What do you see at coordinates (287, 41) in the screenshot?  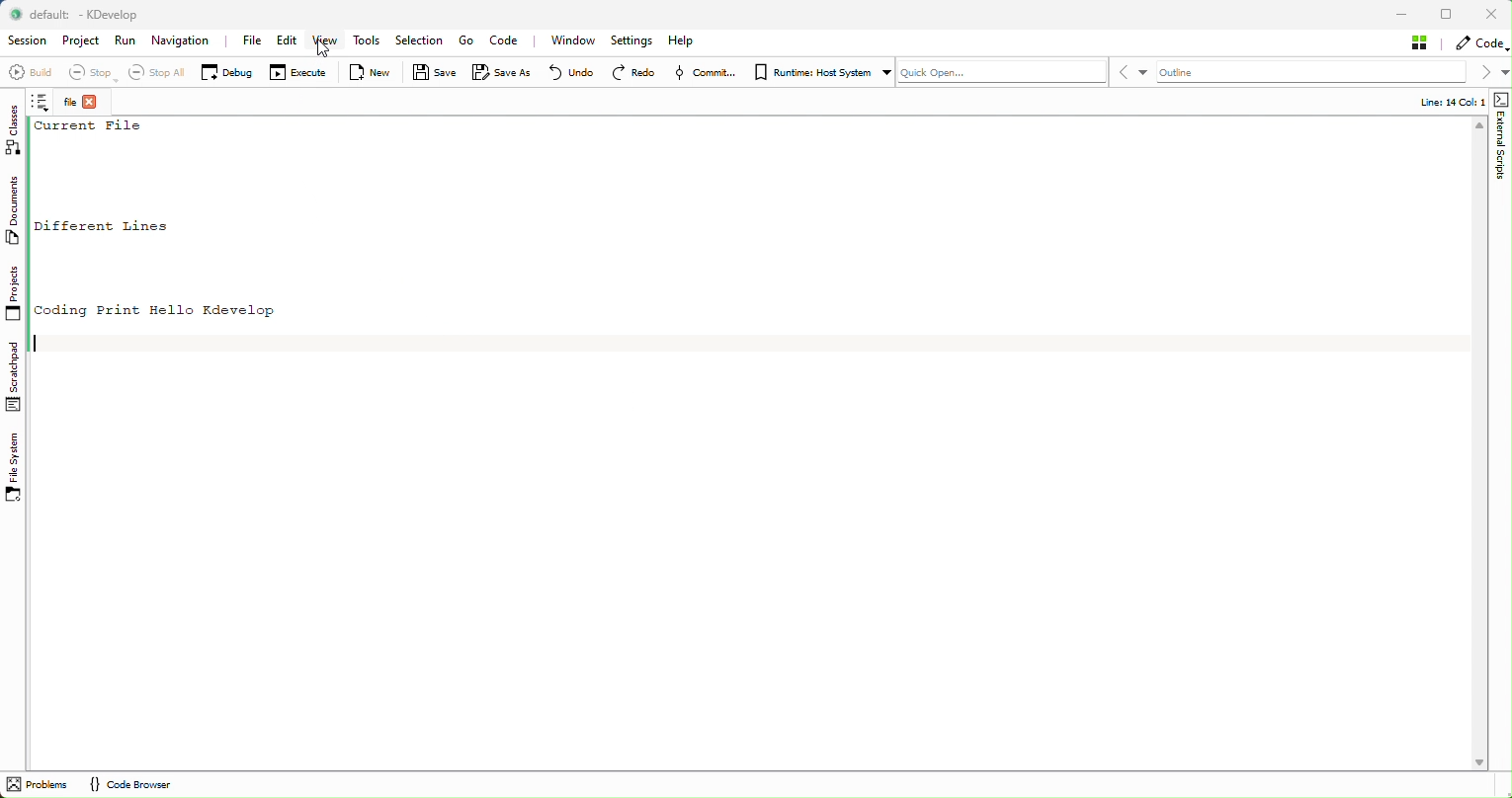 I see `Edit` at bounding box center [287, 41].